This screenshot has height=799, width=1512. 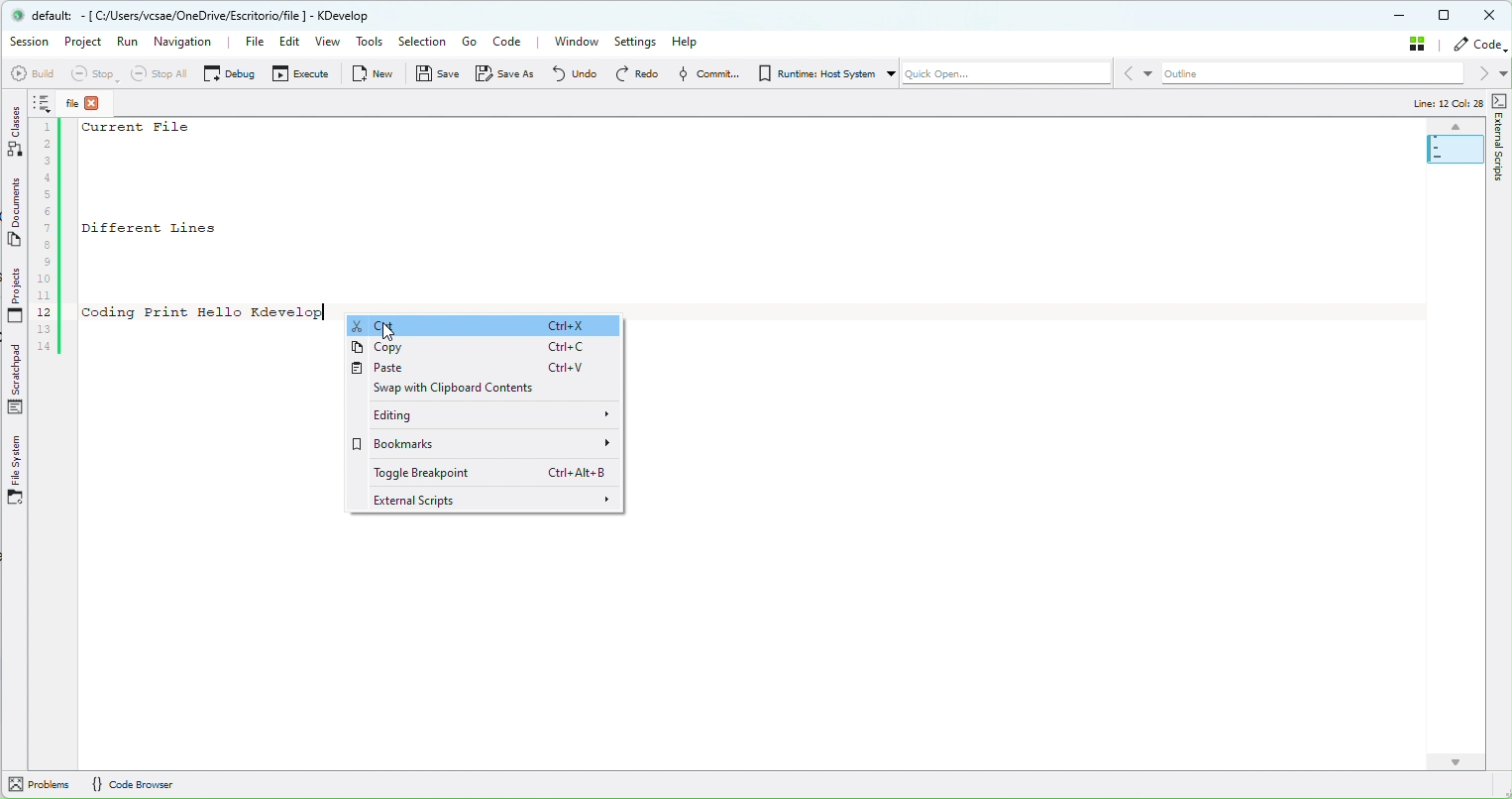 What do you see at coordinates (1477, 46) in the screenshot?
I see `Code` at bounding box center [1477, 46].